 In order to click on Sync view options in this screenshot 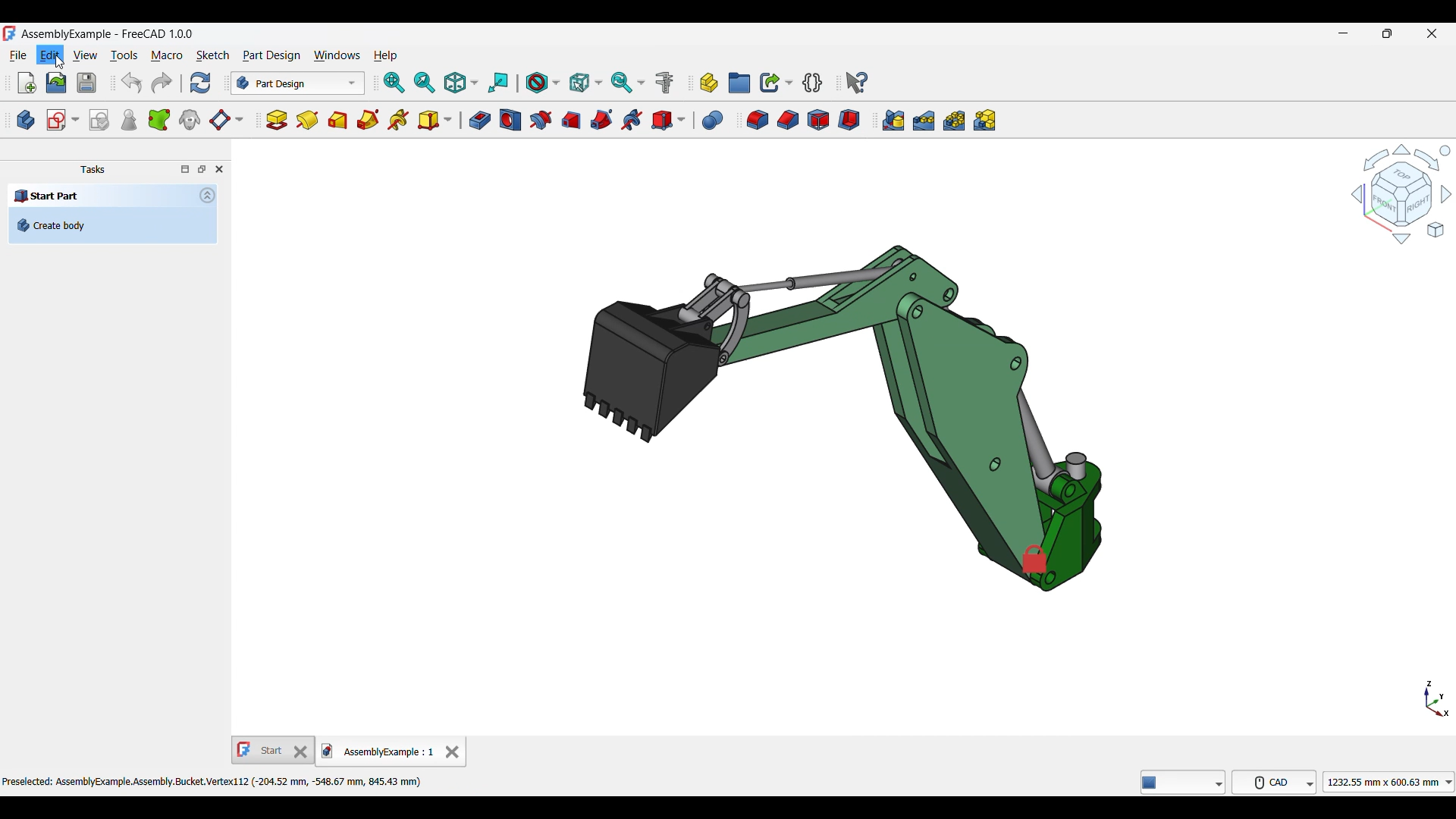, I will do `click(627, 83)`.